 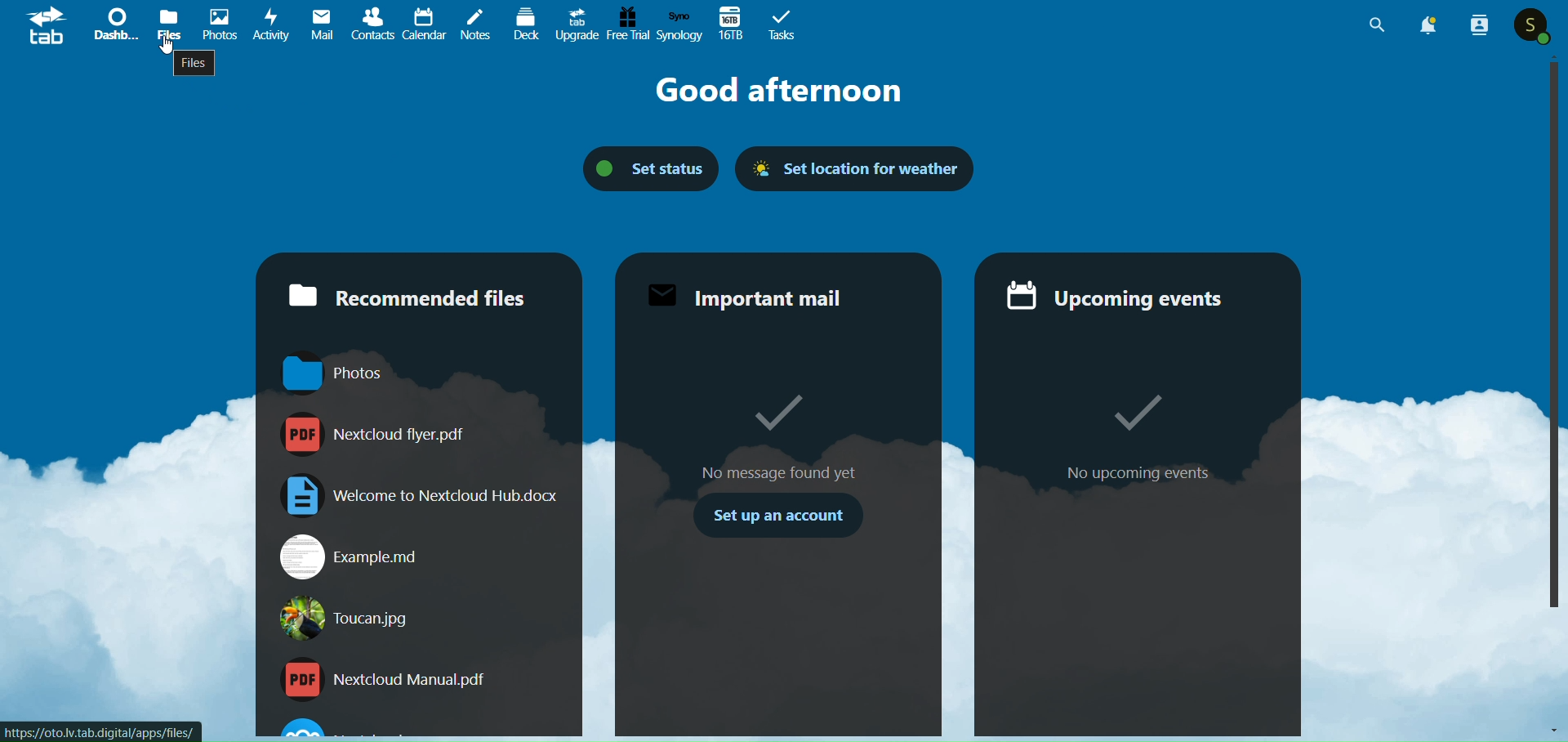 I want to click on synology, so click(x=680, y=26).